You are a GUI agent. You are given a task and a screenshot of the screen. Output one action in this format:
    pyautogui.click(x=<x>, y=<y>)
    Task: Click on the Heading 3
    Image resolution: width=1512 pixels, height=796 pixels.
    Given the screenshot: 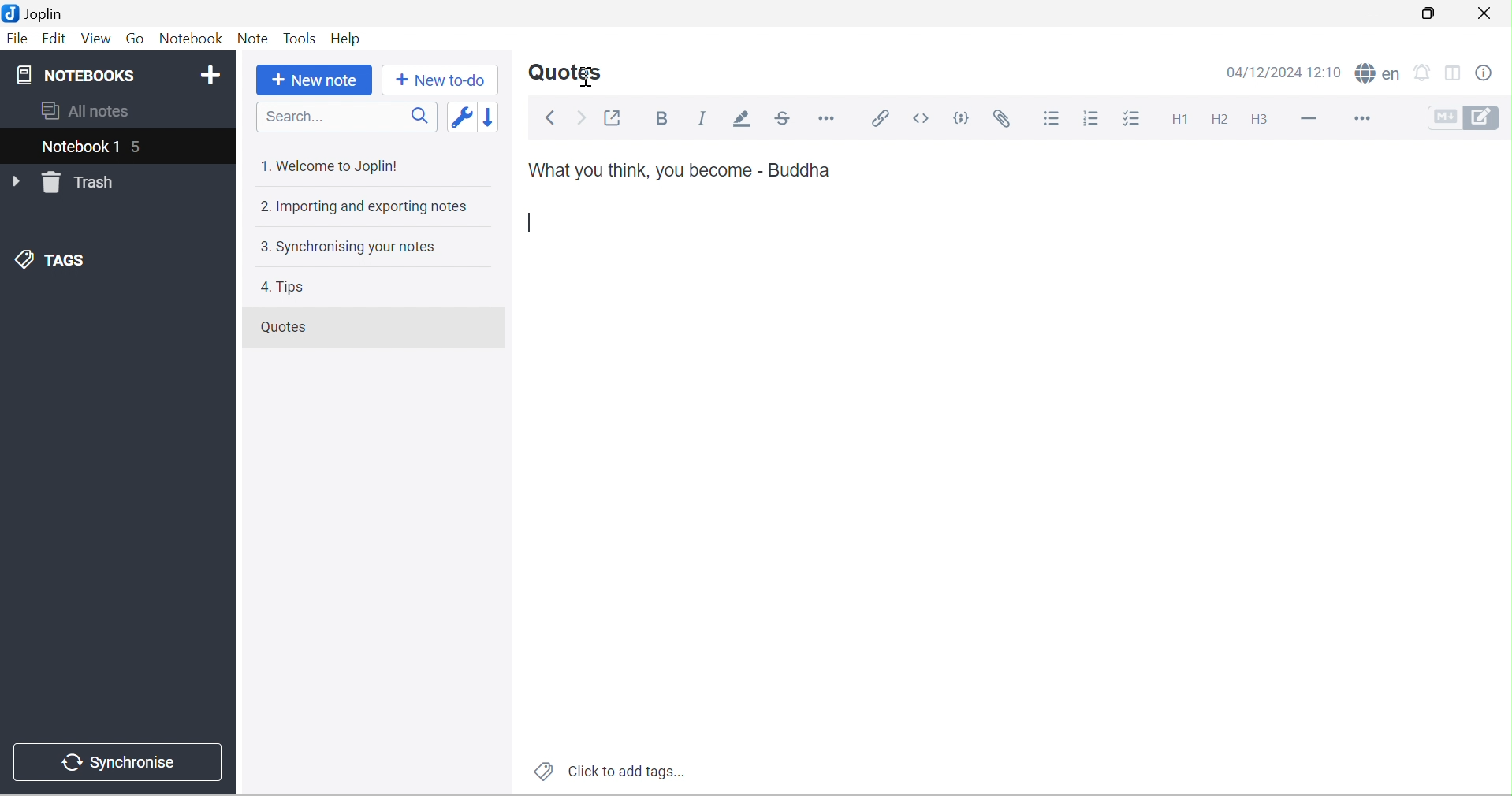 What is the action you would take?
    pyautogui.click(x=1257, y=120)
    